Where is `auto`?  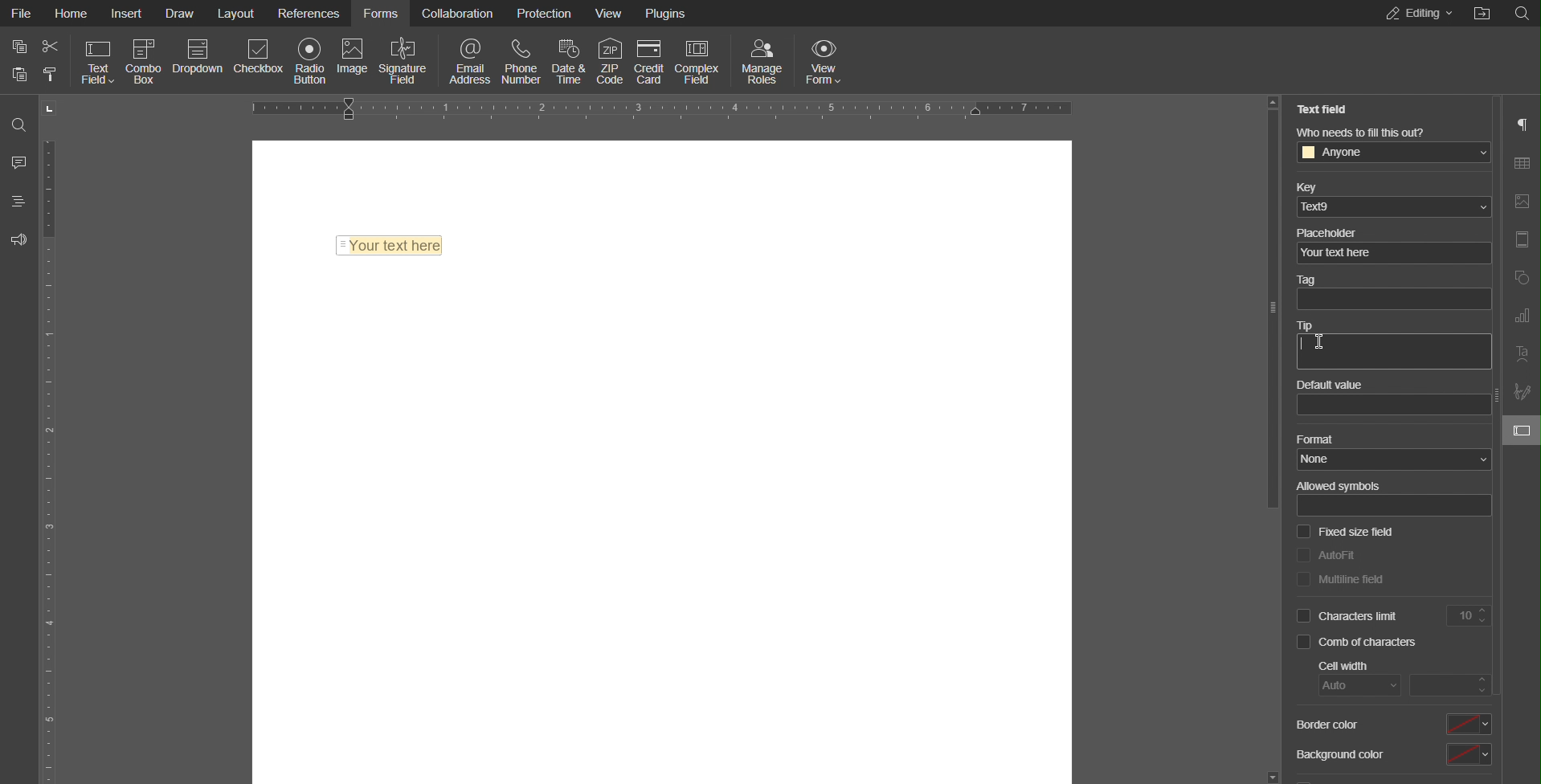 auto is located at coordinates (1363, 685).